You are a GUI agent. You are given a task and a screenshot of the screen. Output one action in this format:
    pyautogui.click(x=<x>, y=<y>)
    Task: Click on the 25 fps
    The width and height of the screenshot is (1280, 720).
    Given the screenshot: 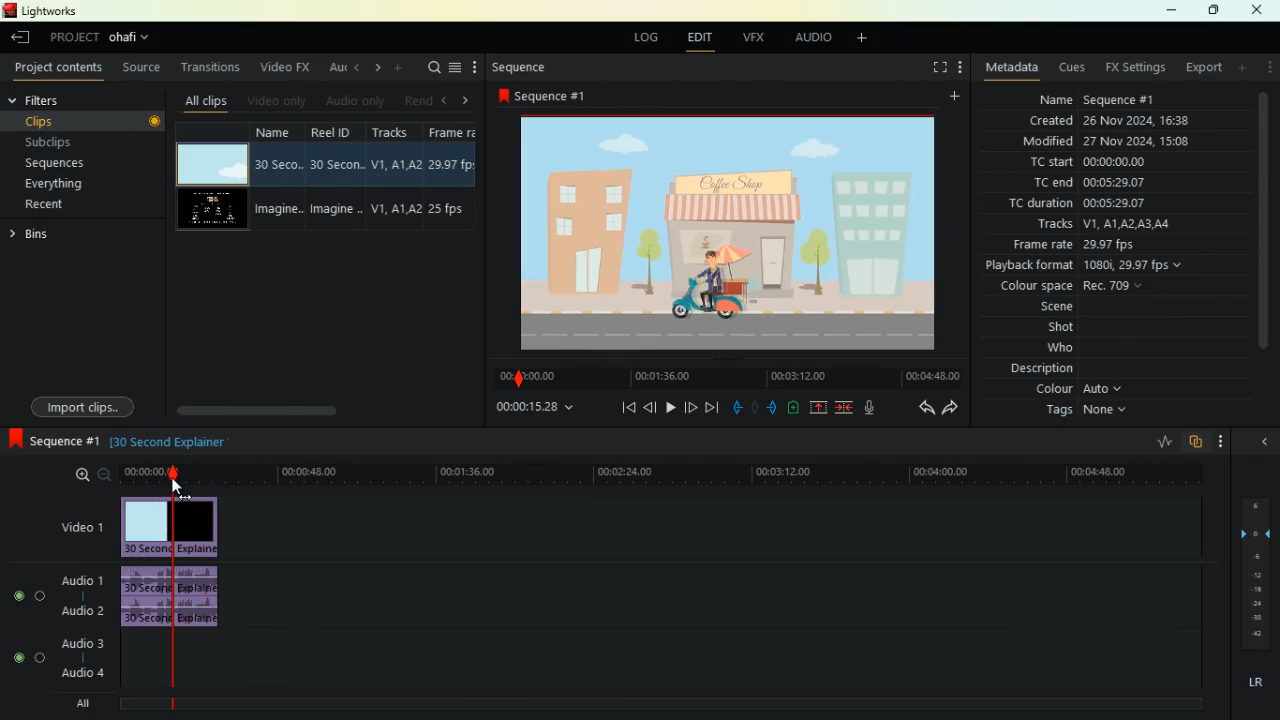 What is the action you would take?
    pyautogui.click(x=454, y=209)
    